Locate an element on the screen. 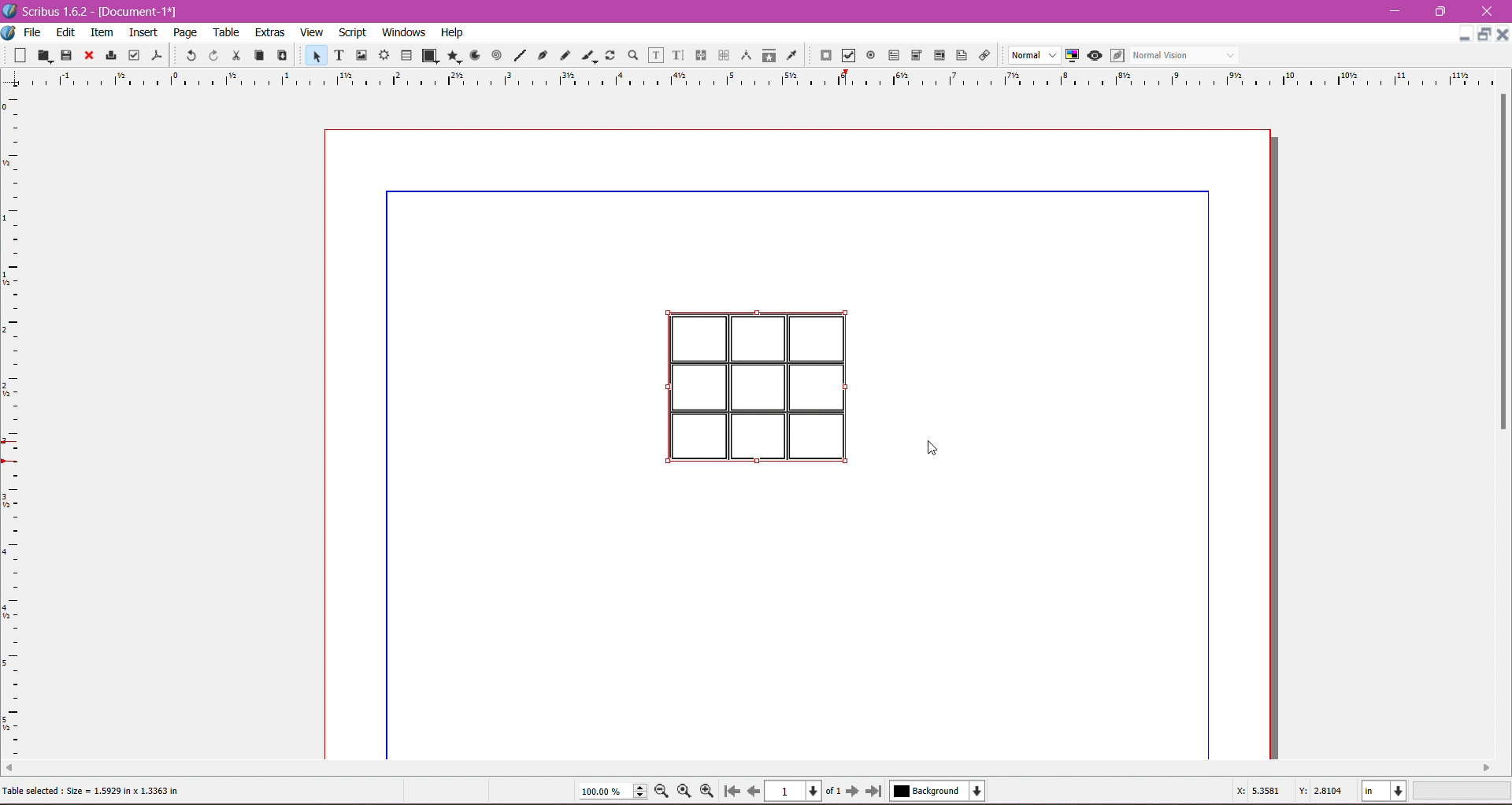  Shapes is located at coordinates (429, 55).